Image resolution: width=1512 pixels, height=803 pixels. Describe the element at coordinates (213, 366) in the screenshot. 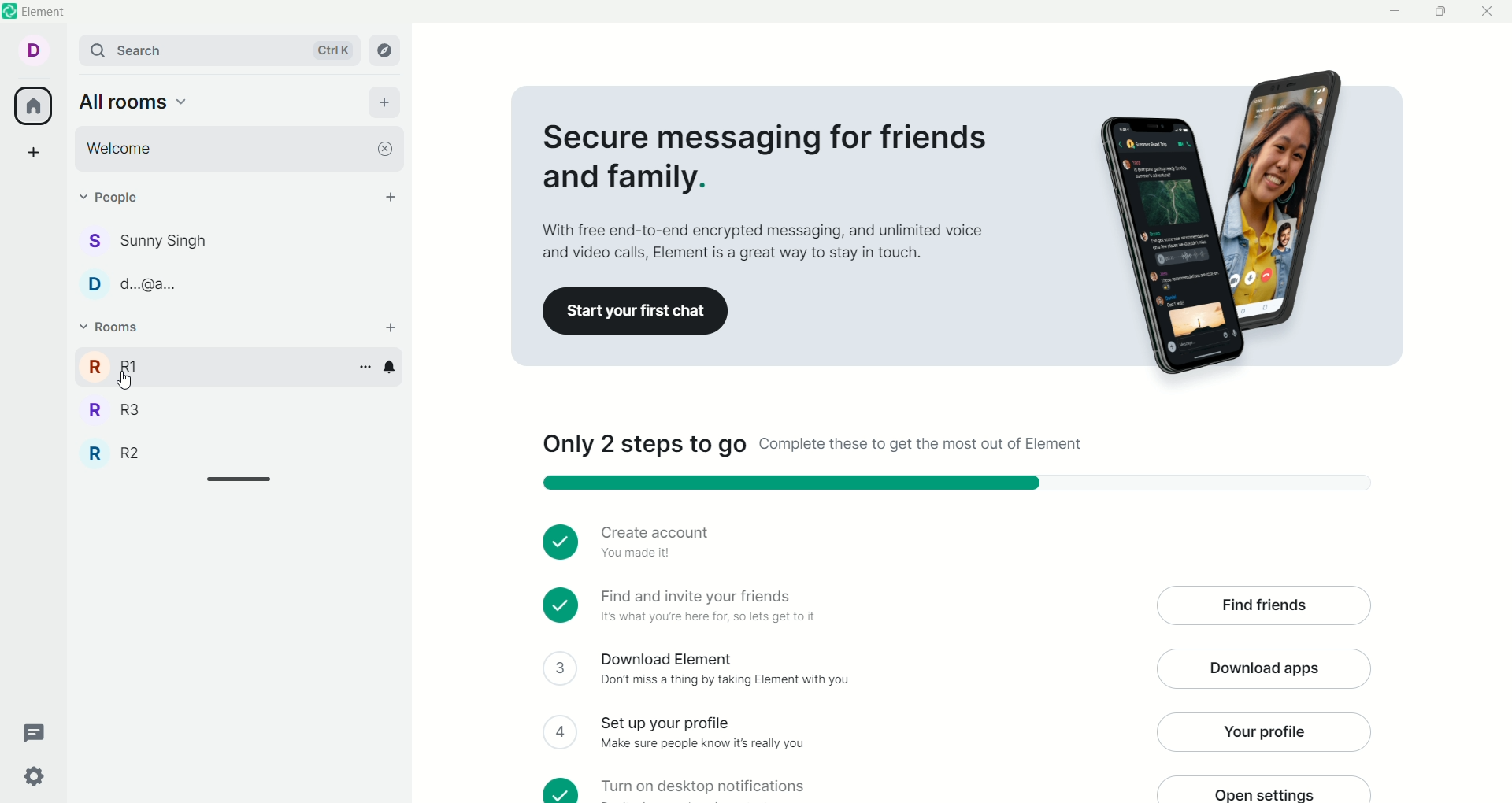

I see `R1 room` at that location.